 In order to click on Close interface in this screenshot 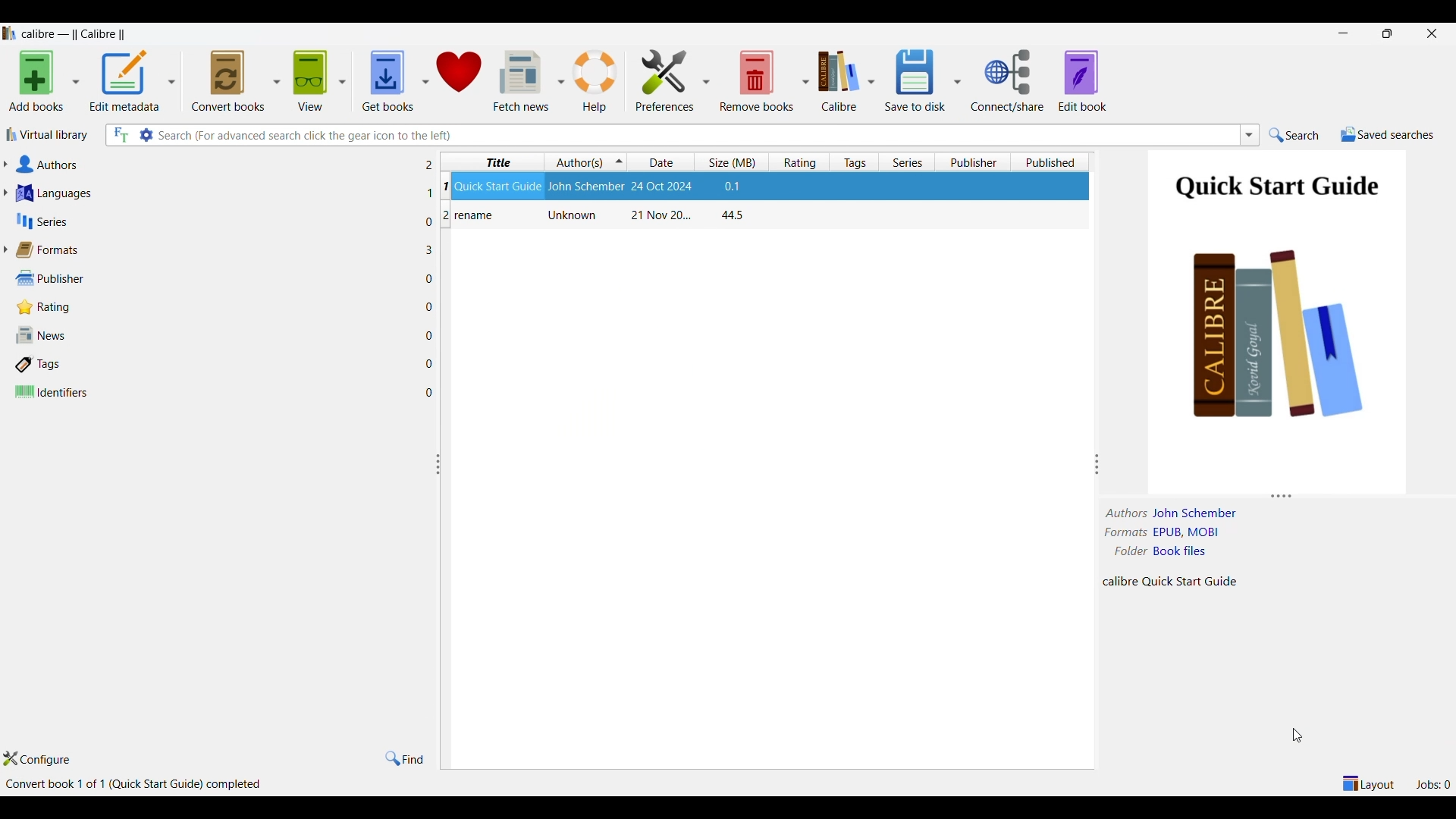, I will do `click(1432, 33)`.